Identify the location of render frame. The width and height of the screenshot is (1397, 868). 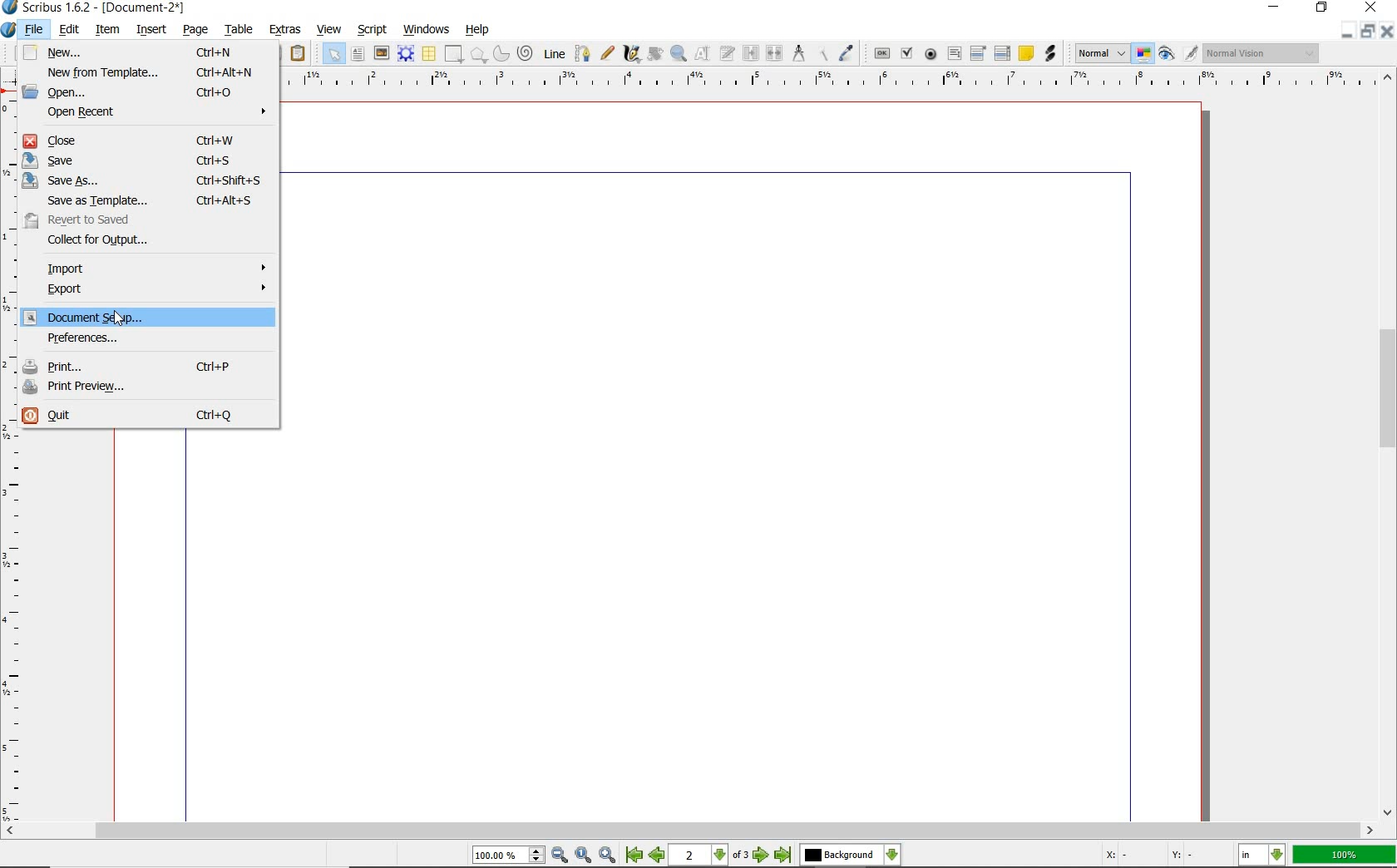
(406, 52).